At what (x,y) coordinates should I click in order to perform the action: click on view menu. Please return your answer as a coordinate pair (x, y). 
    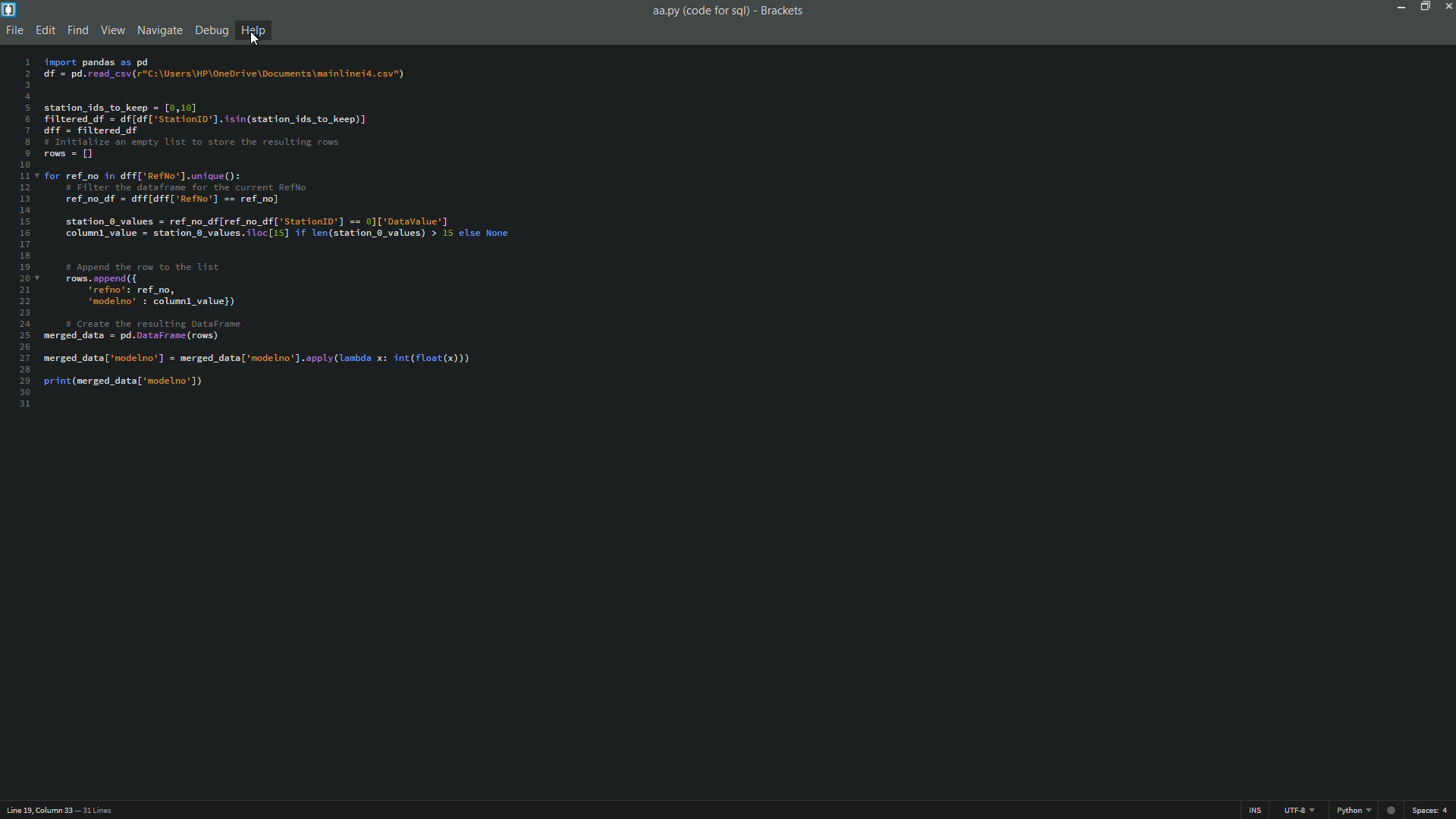
    Looking at the image, I should click on (113, 30).